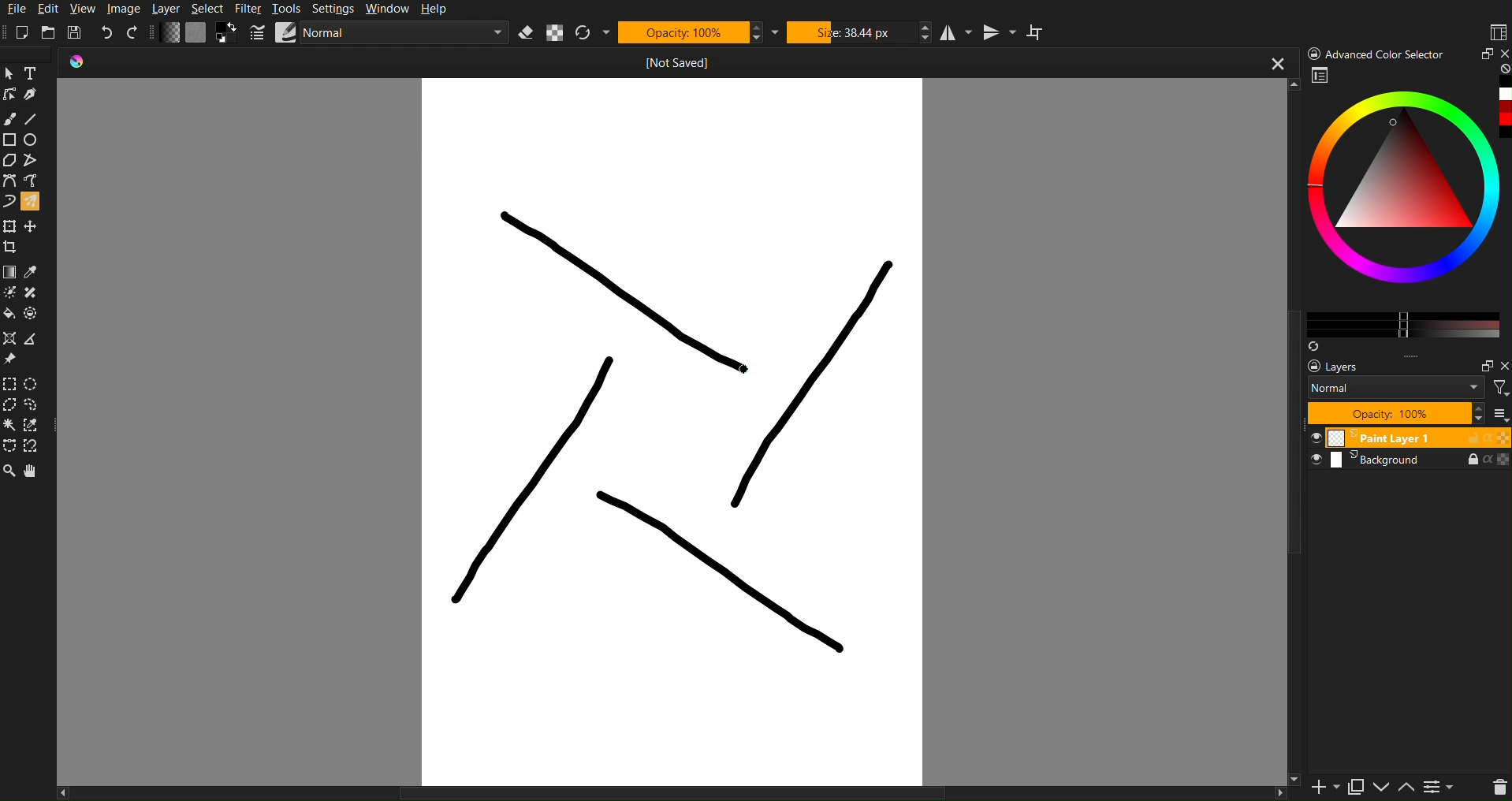 The width and height of the screenshot is (1512, 801). Describe the element at coordinates (171, 9) in the screenshot. I see `Layer` at that location.